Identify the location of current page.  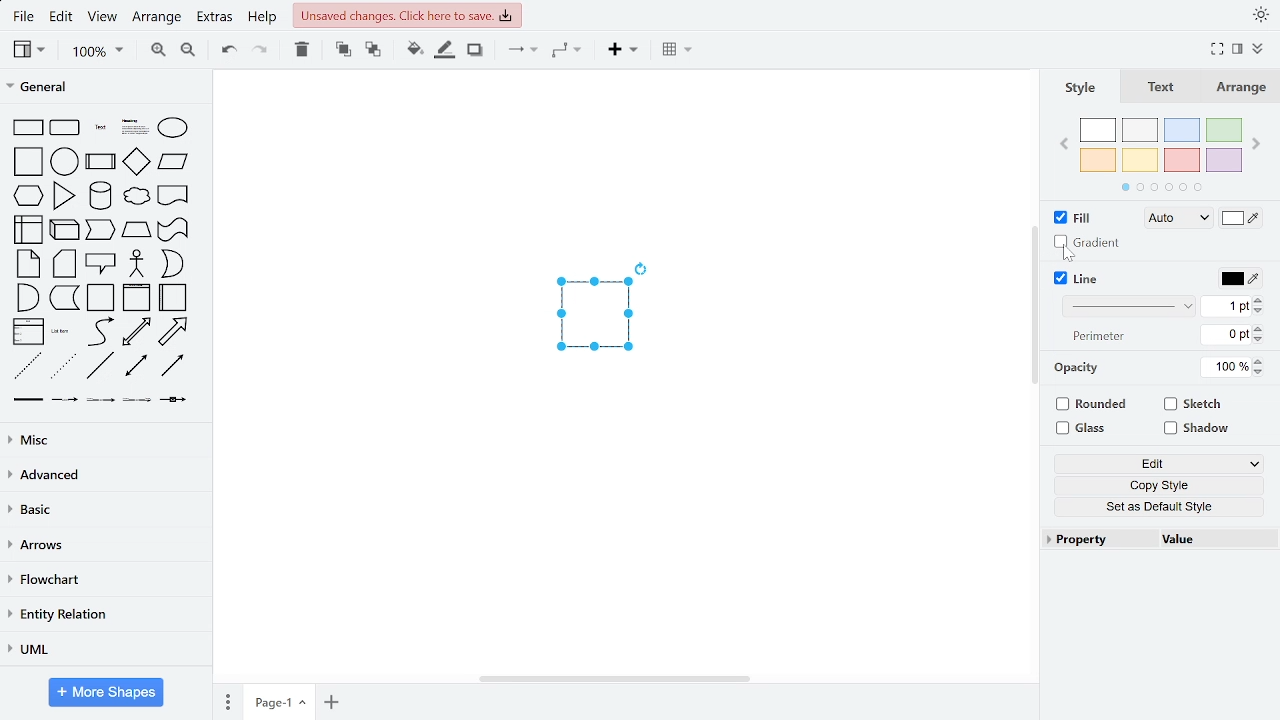
(278, 703).